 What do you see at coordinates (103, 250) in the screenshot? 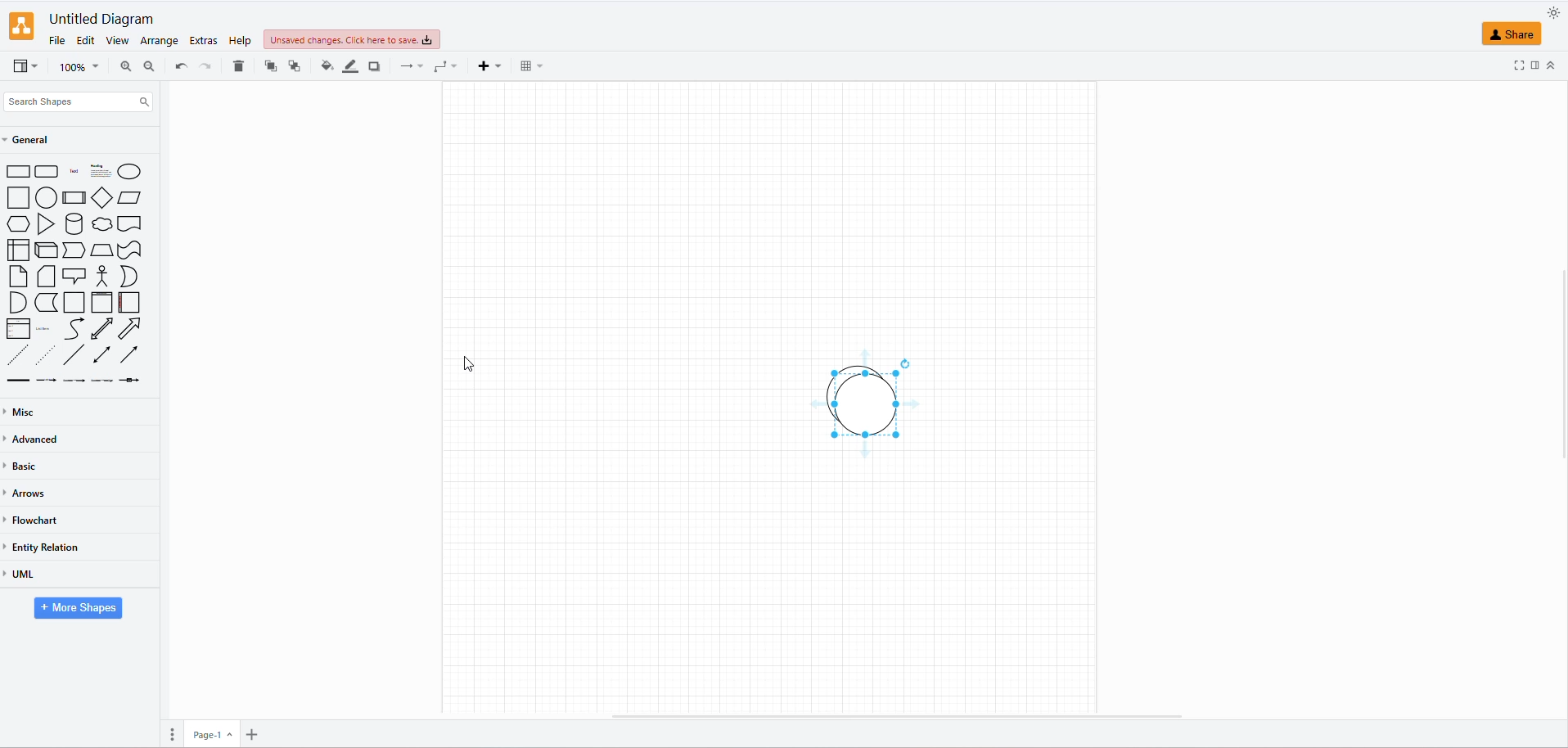
I see `TRAPEZOID` at bounding box center [103, 250].